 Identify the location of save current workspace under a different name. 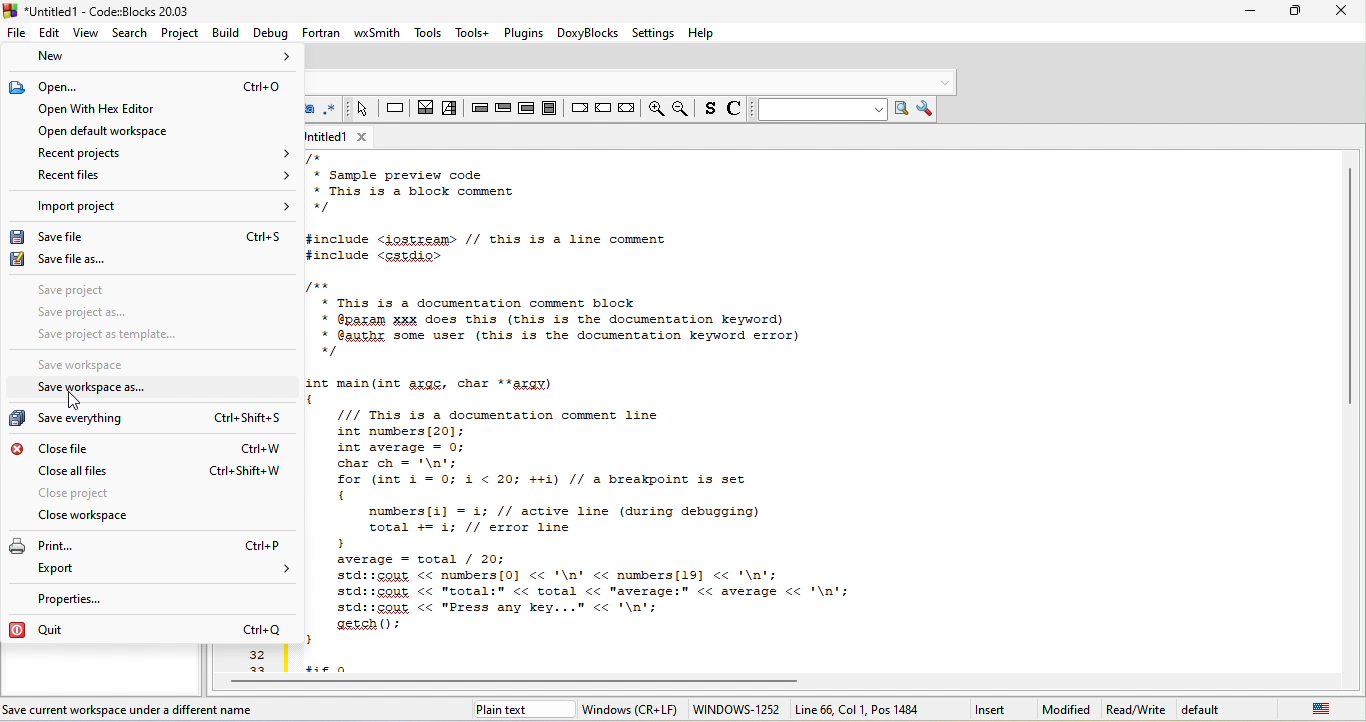
(132, 710).